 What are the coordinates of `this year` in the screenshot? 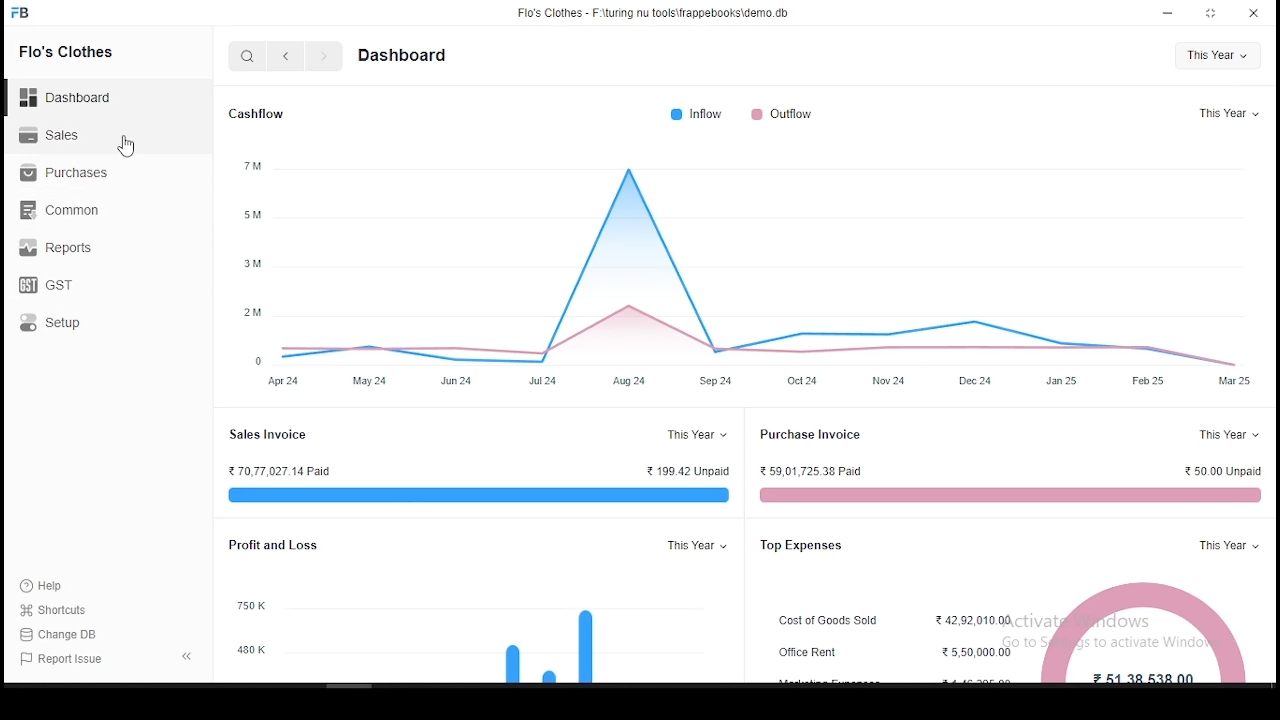 It's located at (1226, 435).